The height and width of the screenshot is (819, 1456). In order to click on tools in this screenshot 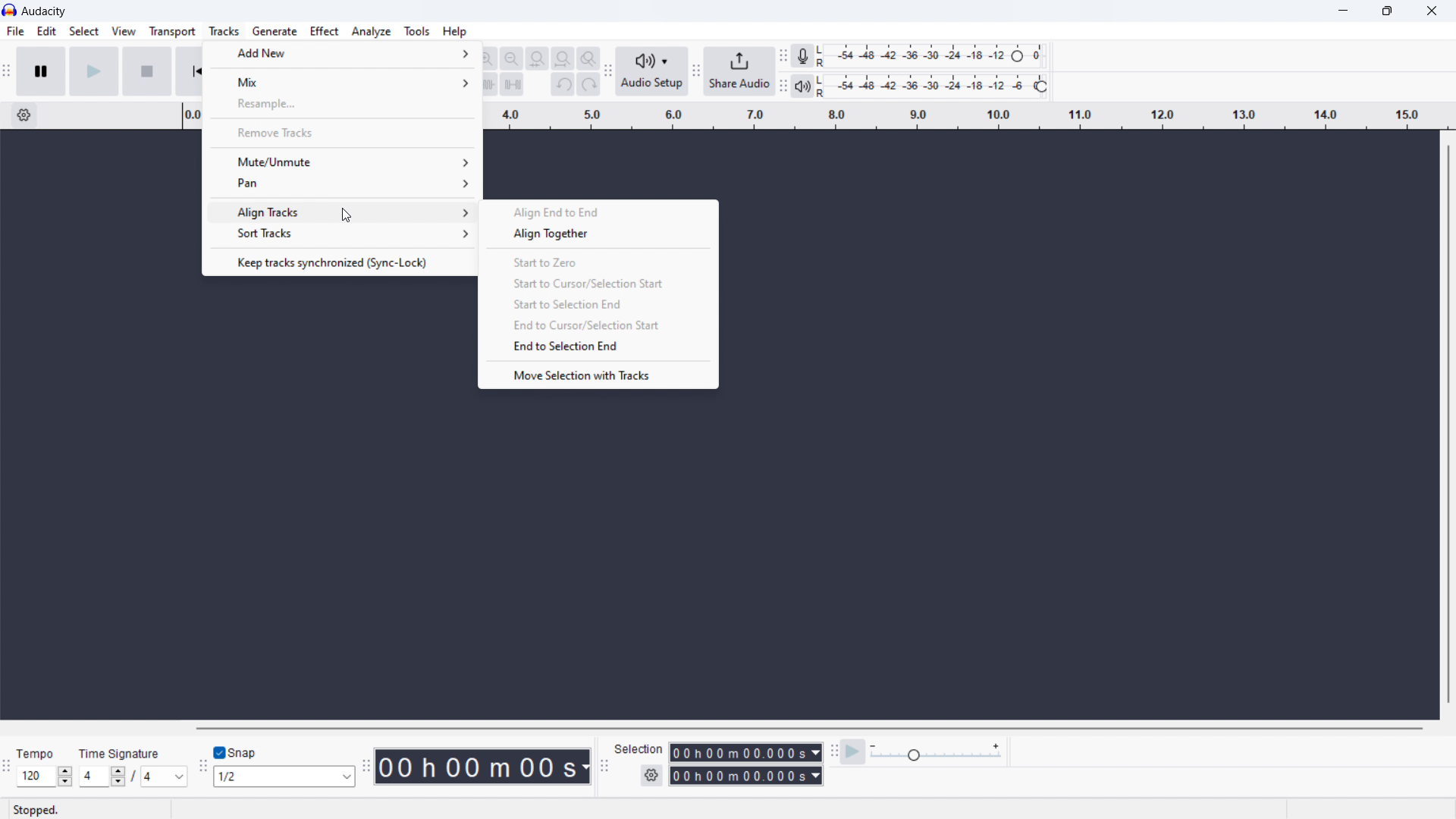, I will do `click(417, 31)`.